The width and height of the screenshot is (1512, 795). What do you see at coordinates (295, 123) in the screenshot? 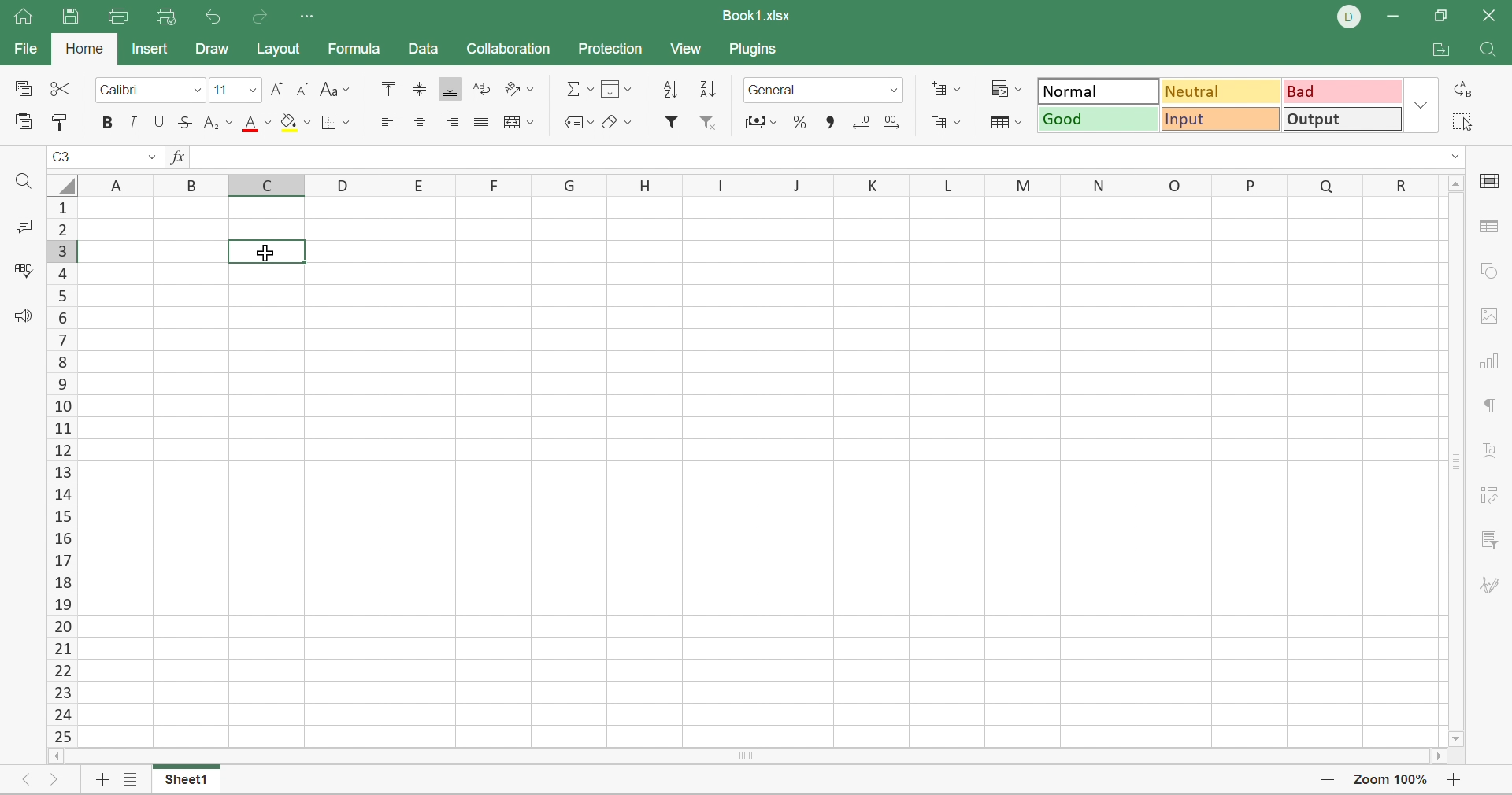
I see `Fill color` at bounding box center [295, 123].